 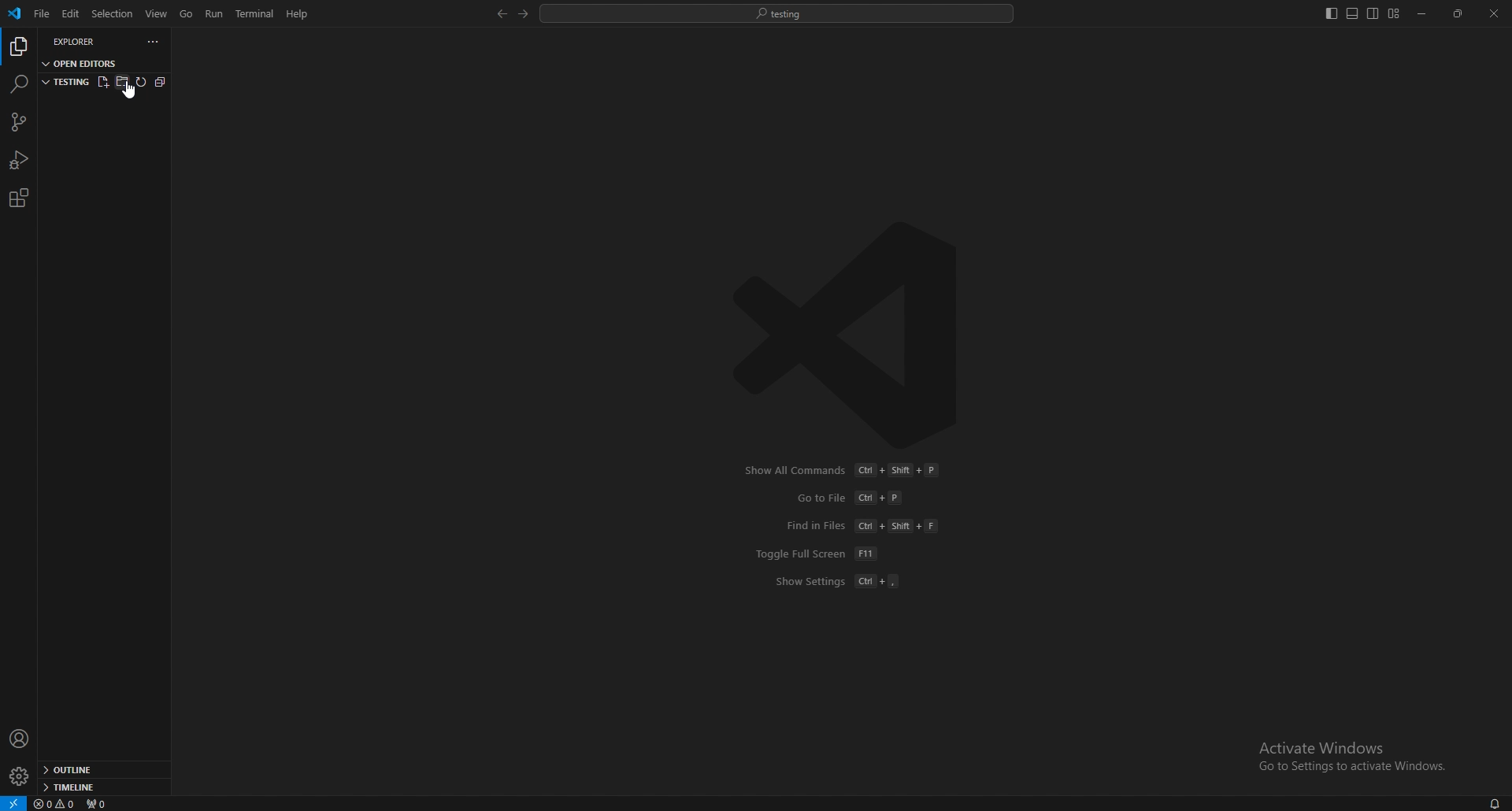 I want to click on options, so click(x=154, y=42).